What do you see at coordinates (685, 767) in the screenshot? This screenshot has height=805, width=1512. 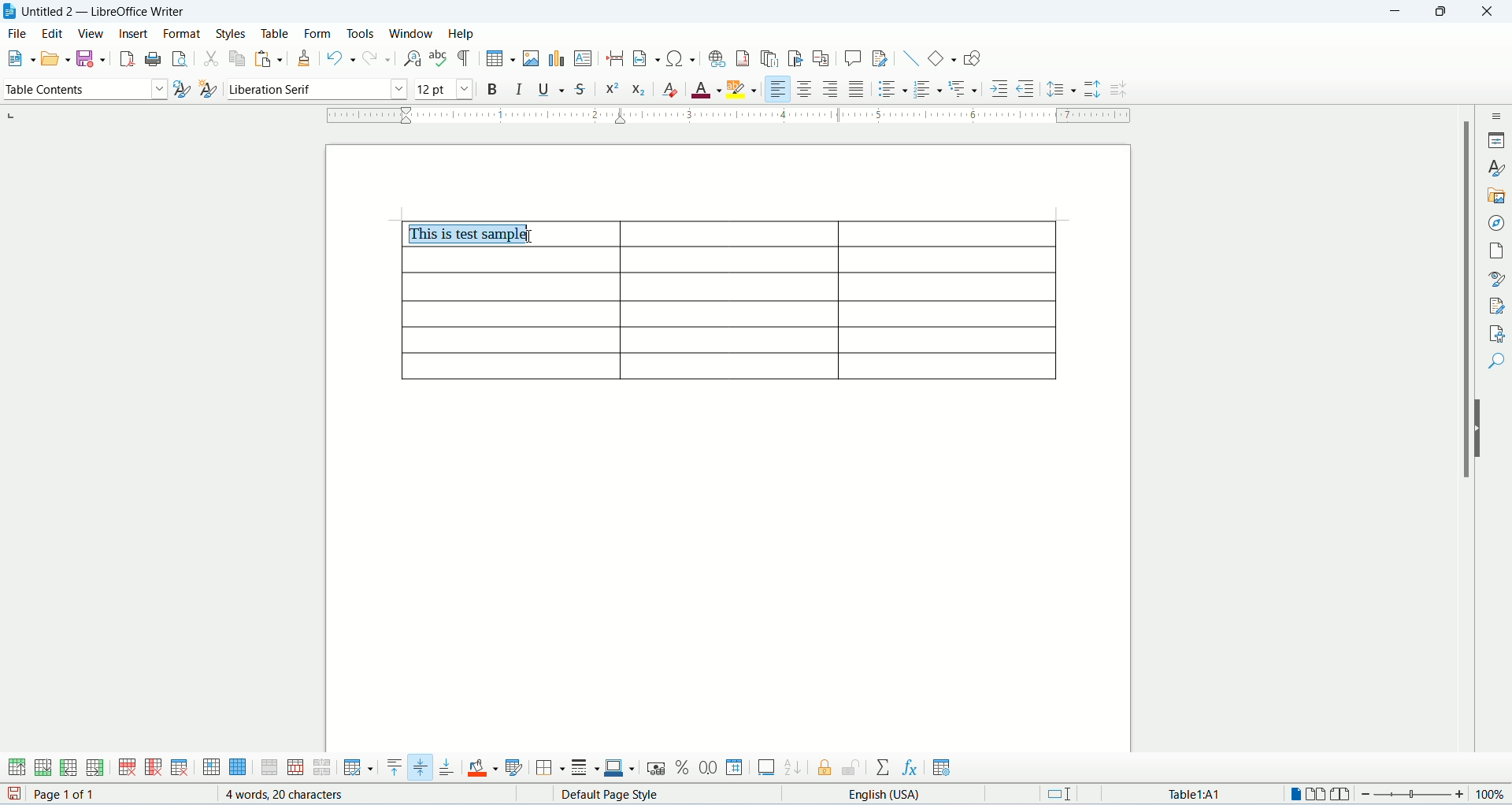 I see `percent format` at bounding box center [685, 767].